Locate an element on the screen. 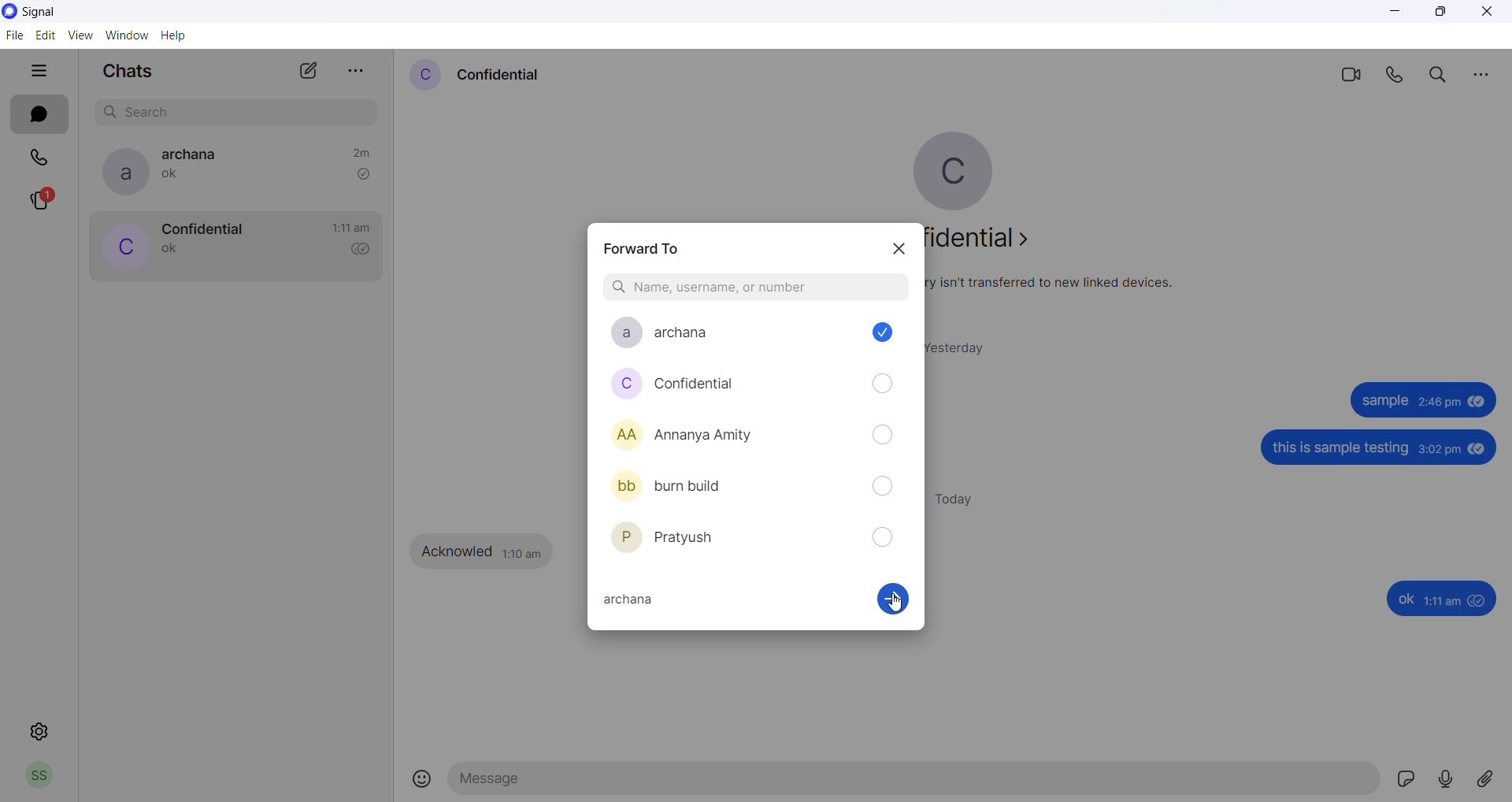  calls is located at coordinates (42, 155).